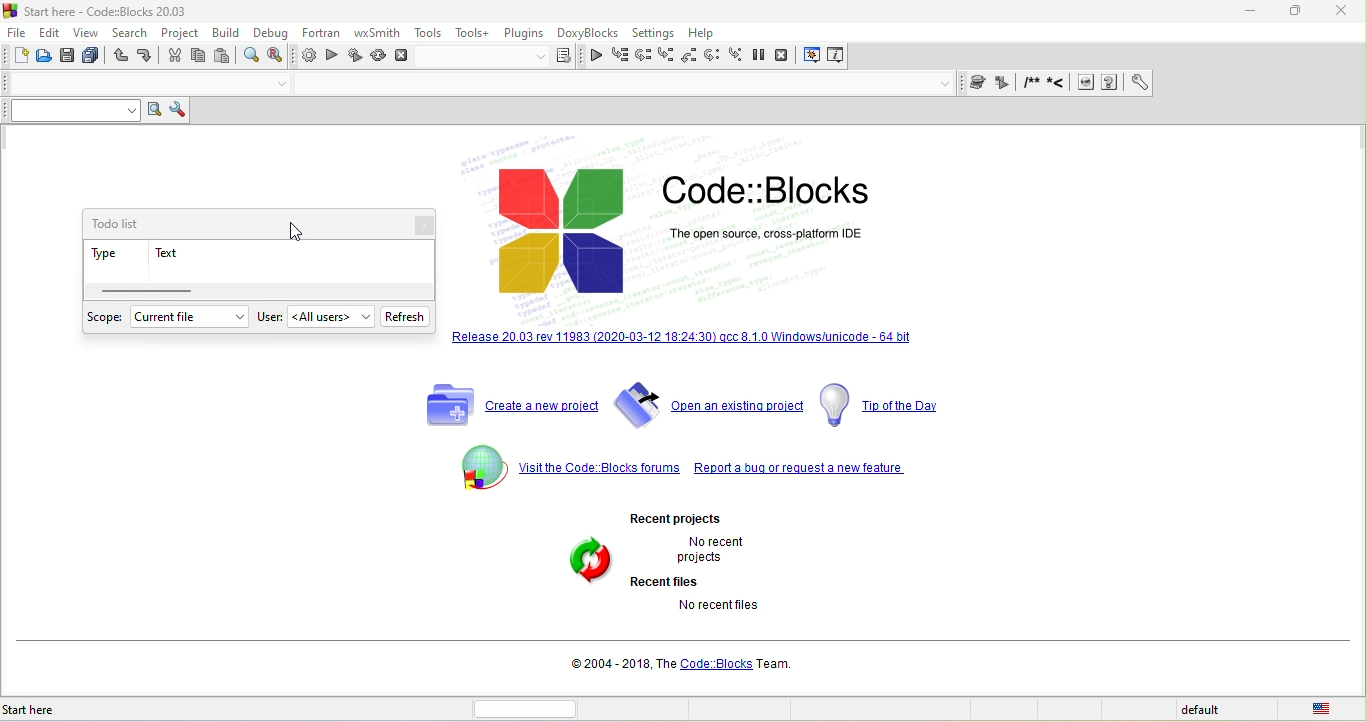 The height and width of the screenshot is (722, 1366). Describe the element at coordinates (150, 290) in the screenshot. I see `horizontal scroll bar` at that location.